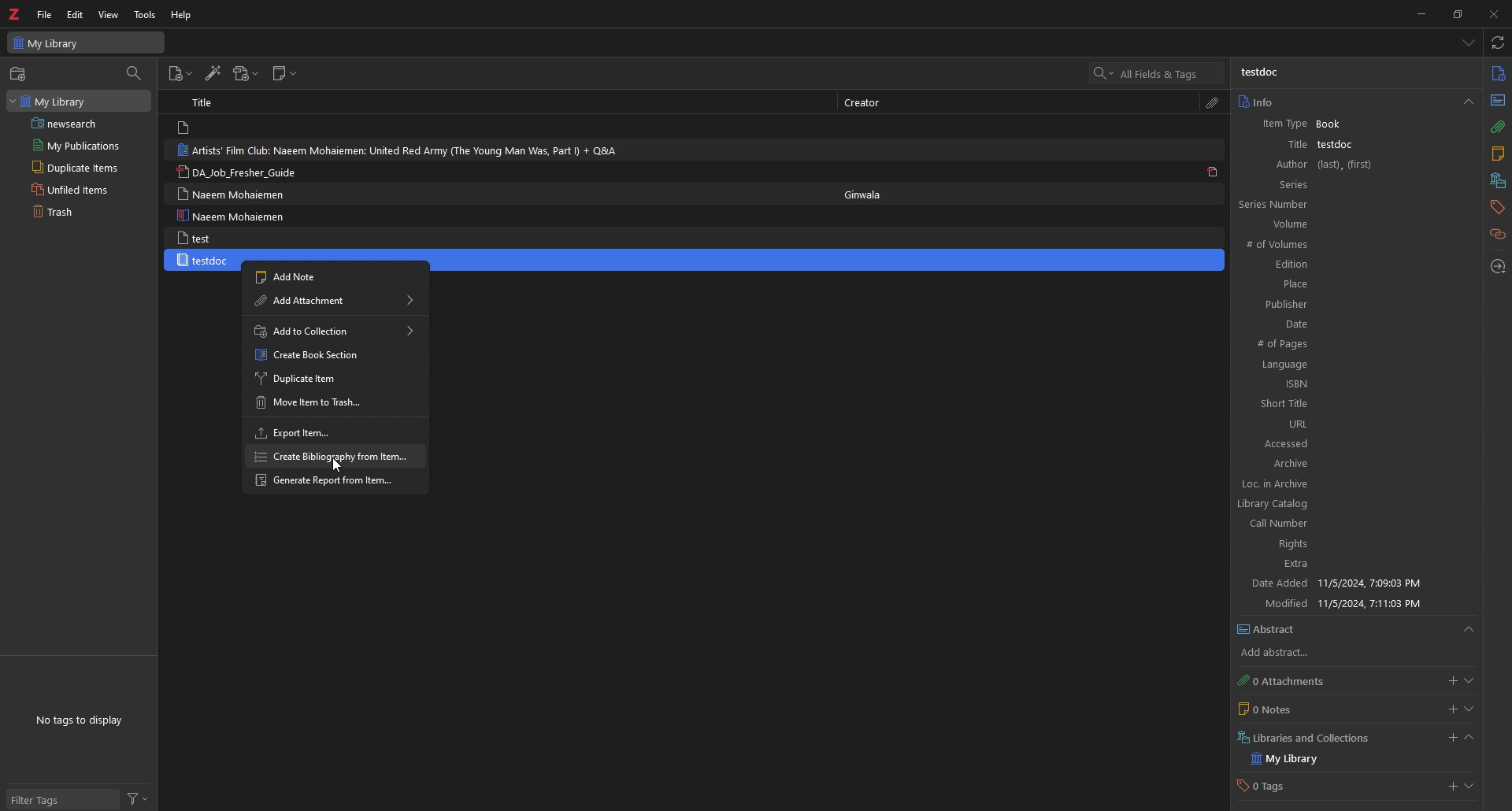 The image size is (1512, 811). Describe the element at coordinates (1348, 584) in the screenshot. I see `Date Added 11/5/2024, 7:09:03 PM` at that location.